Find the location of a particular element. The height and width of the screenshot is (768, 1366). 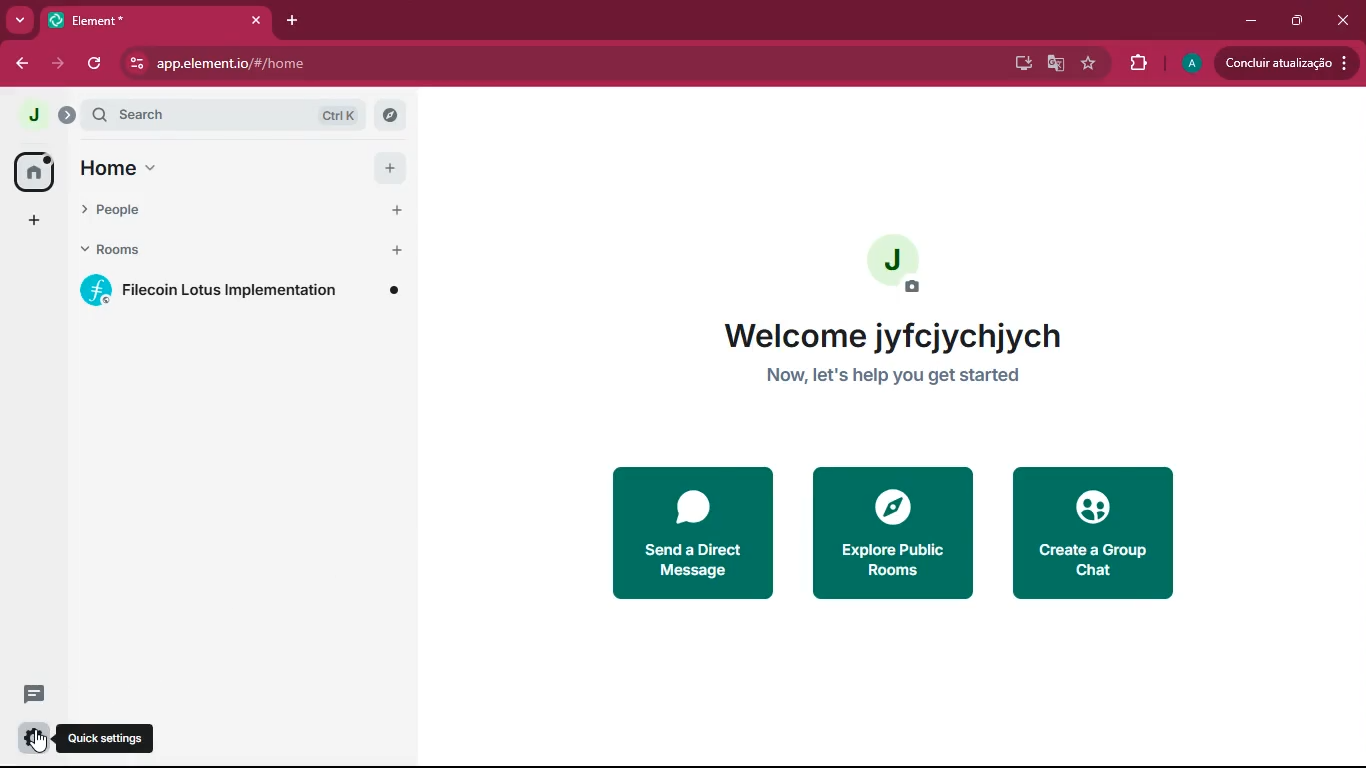

profile picture is located at coordinates (31, 115).